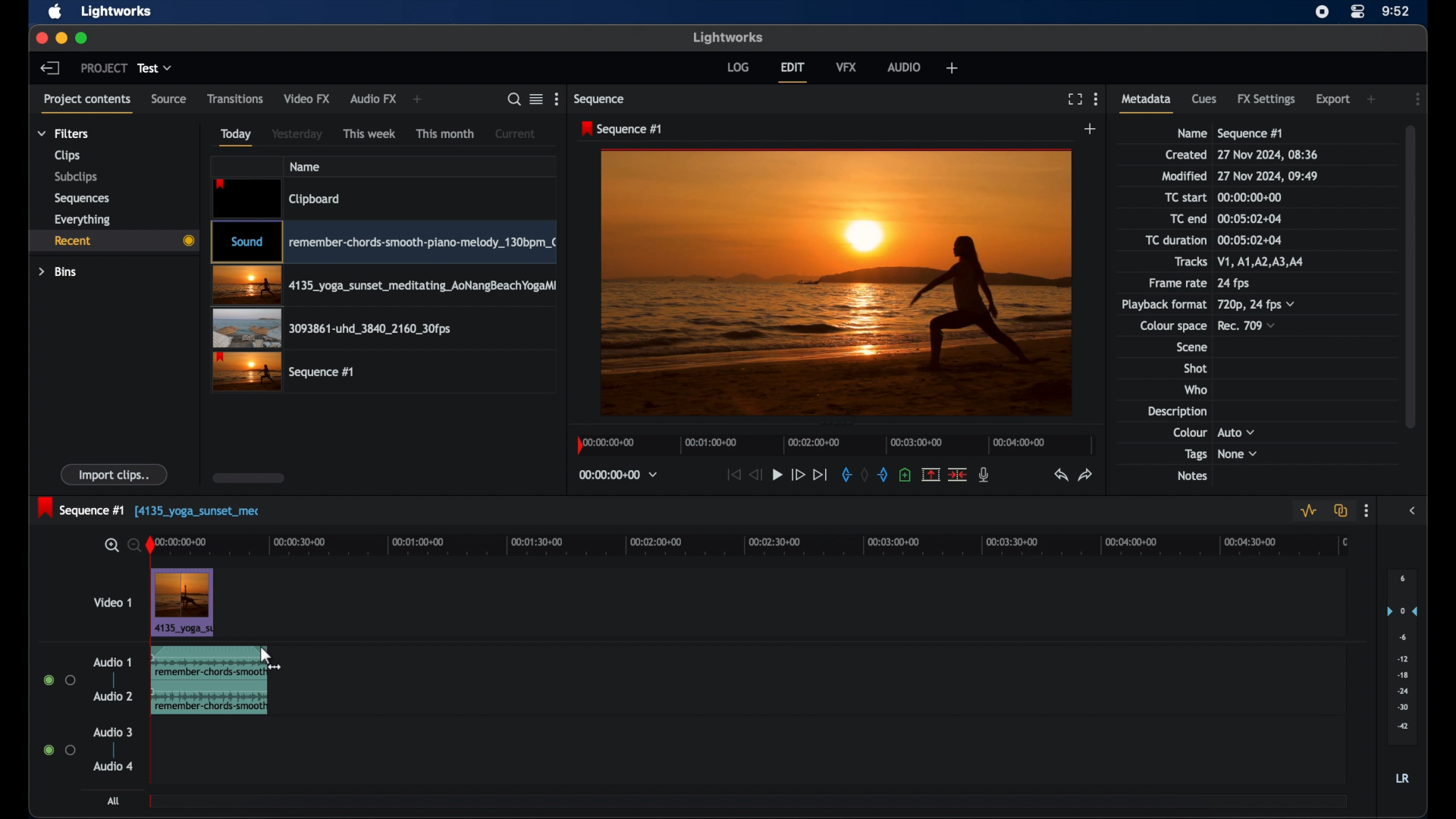  I want to click on jump to end, so click(821, 475).